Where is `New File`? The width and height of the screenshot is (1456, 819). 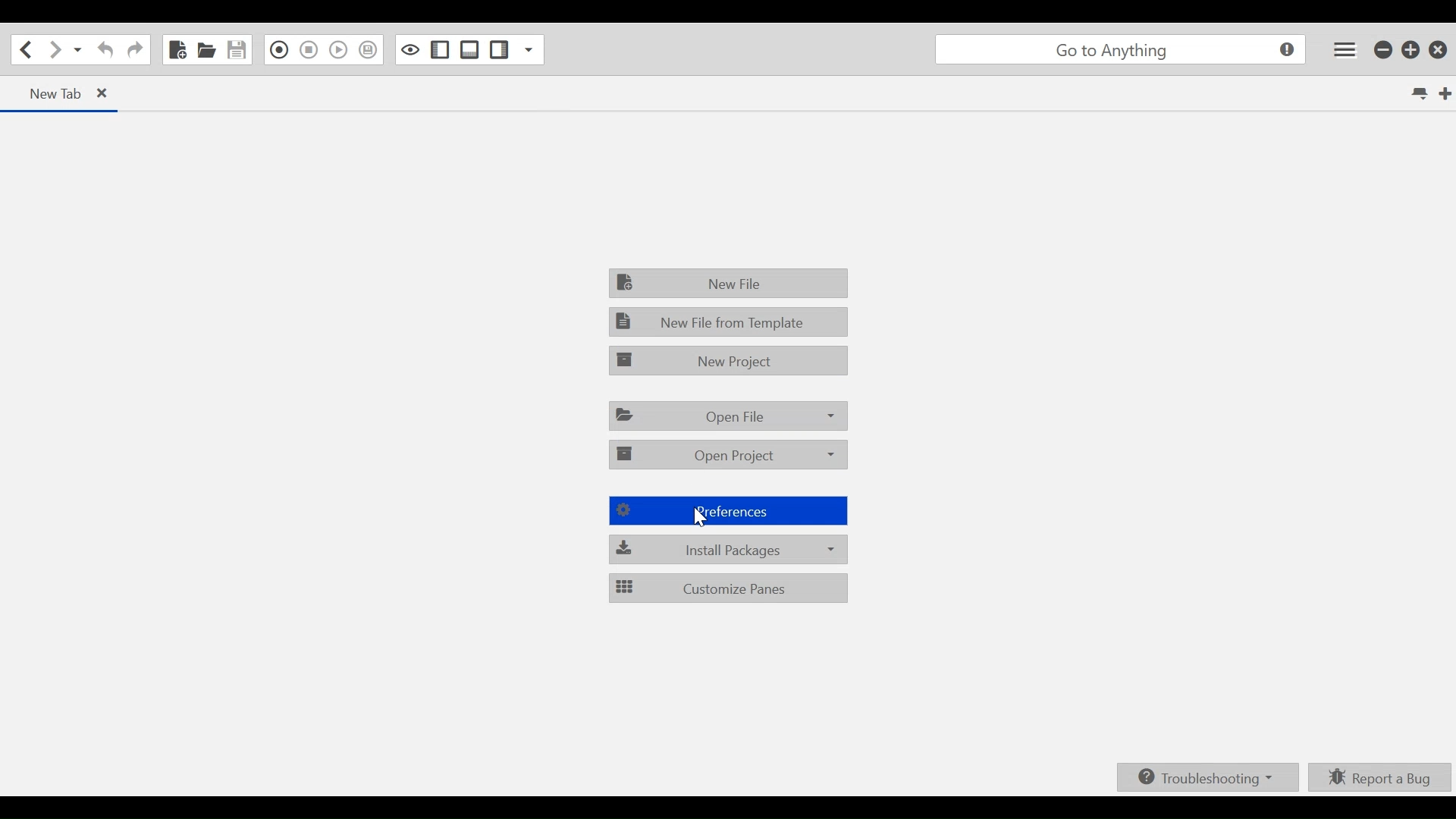 New File is located at coordinates (178, 50).